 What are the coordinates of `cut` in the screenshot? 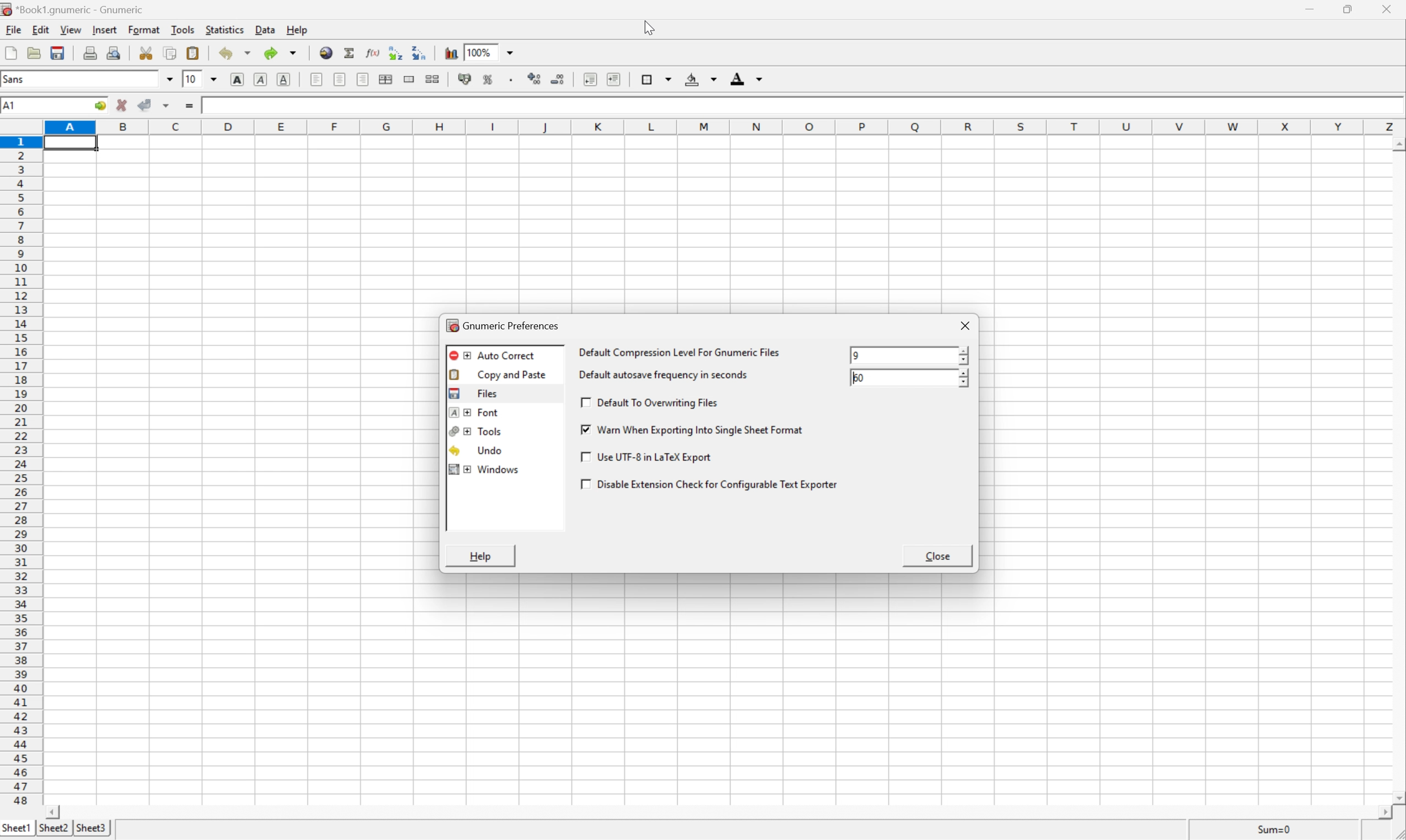 It's located at (145, 52).